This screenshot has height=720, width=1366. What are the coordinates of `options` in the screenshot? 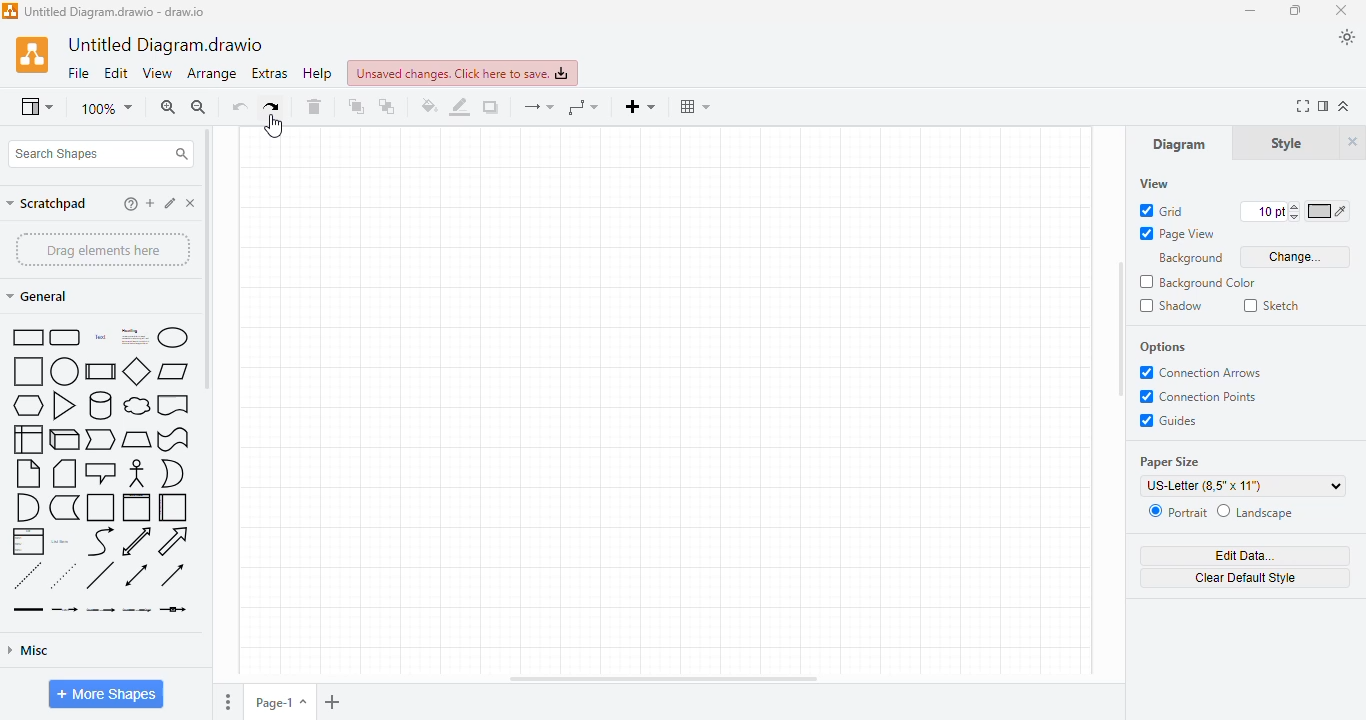 It's located at (1165, 347).